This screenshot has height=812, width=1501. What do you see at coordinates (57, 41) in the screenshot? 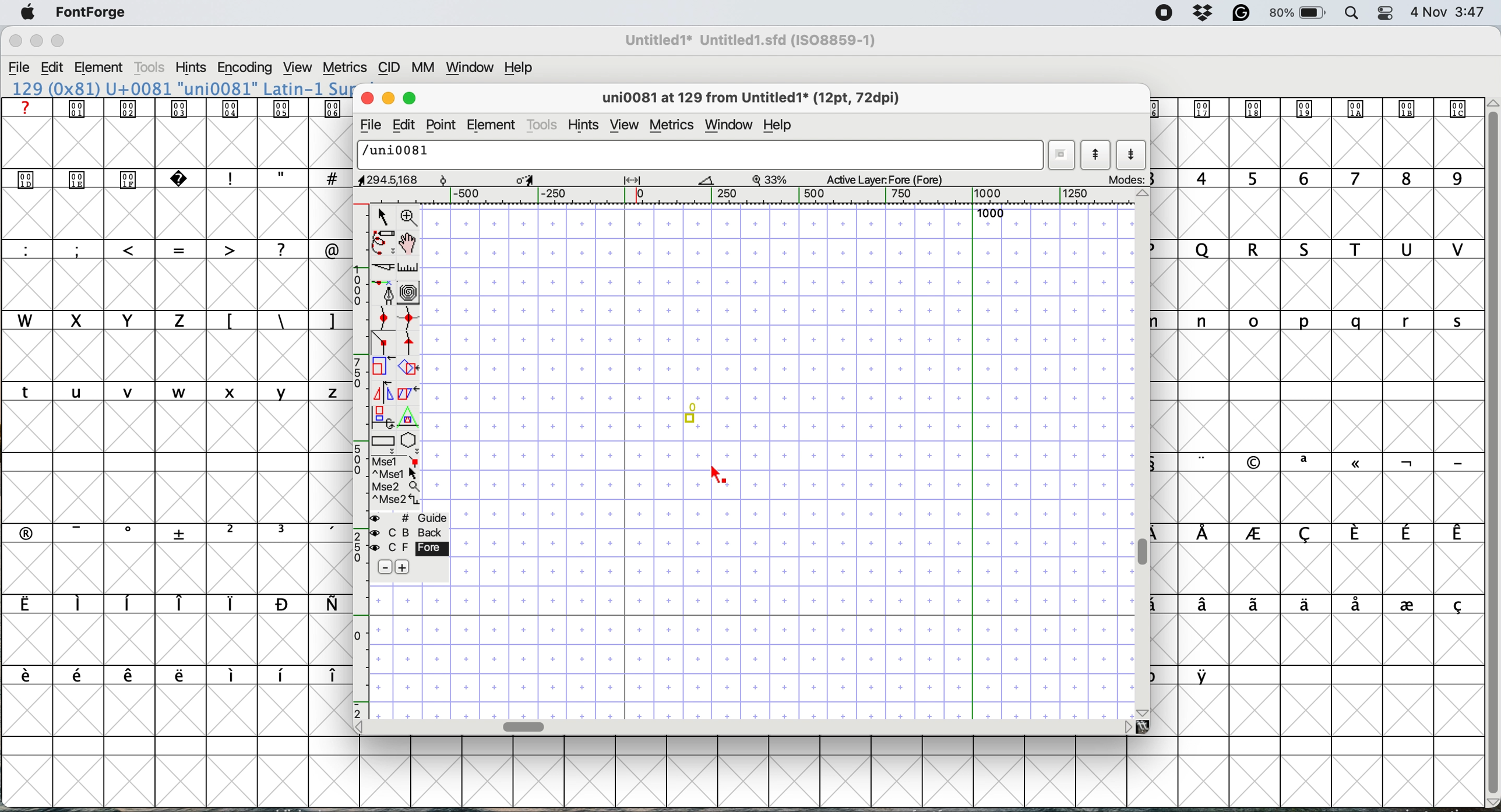
I see `Maximize` at bounding box center [57, 41].